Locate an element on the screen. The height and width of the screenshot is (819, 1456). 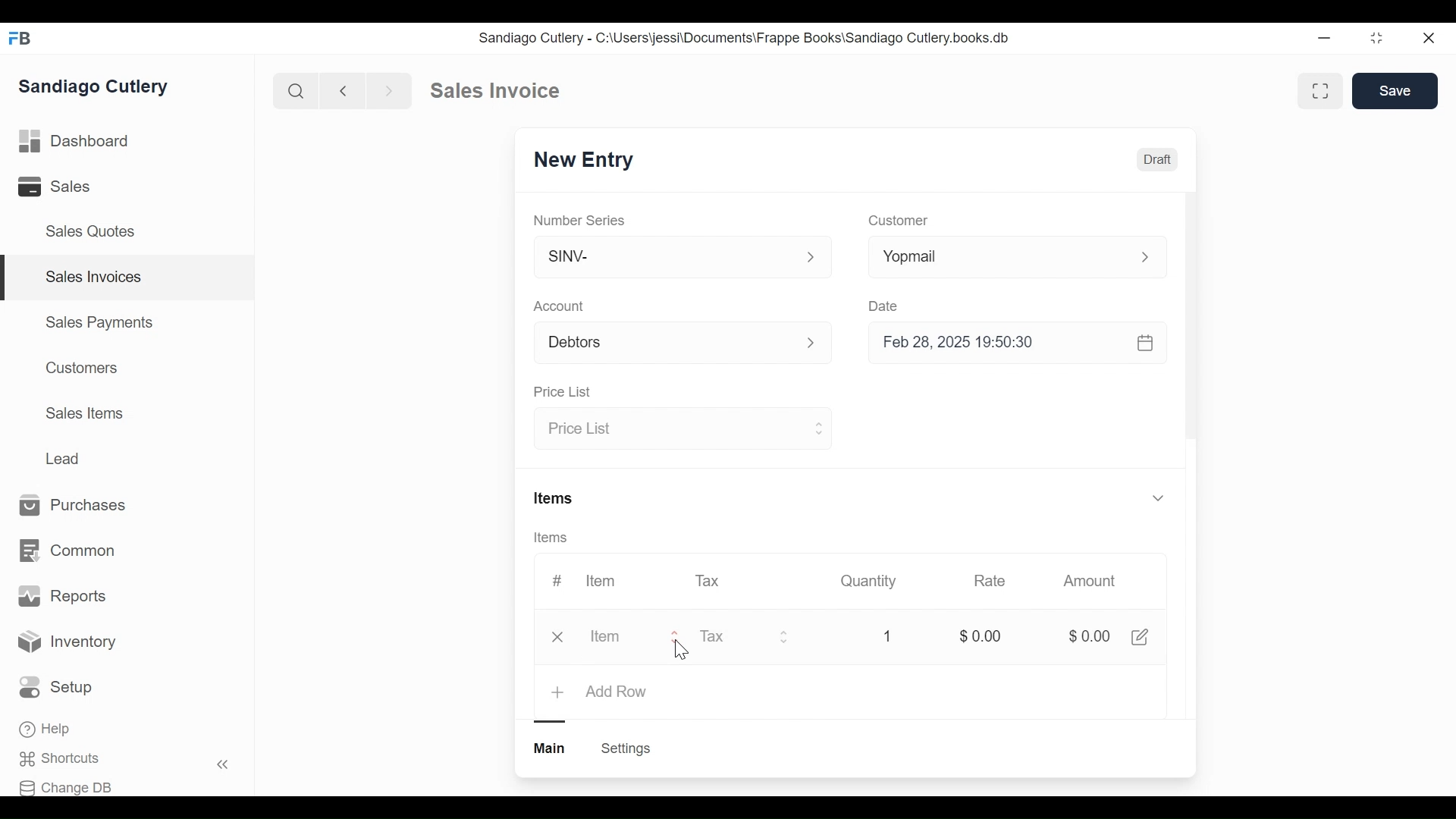
FB logo is located at coordinates (20, 38).